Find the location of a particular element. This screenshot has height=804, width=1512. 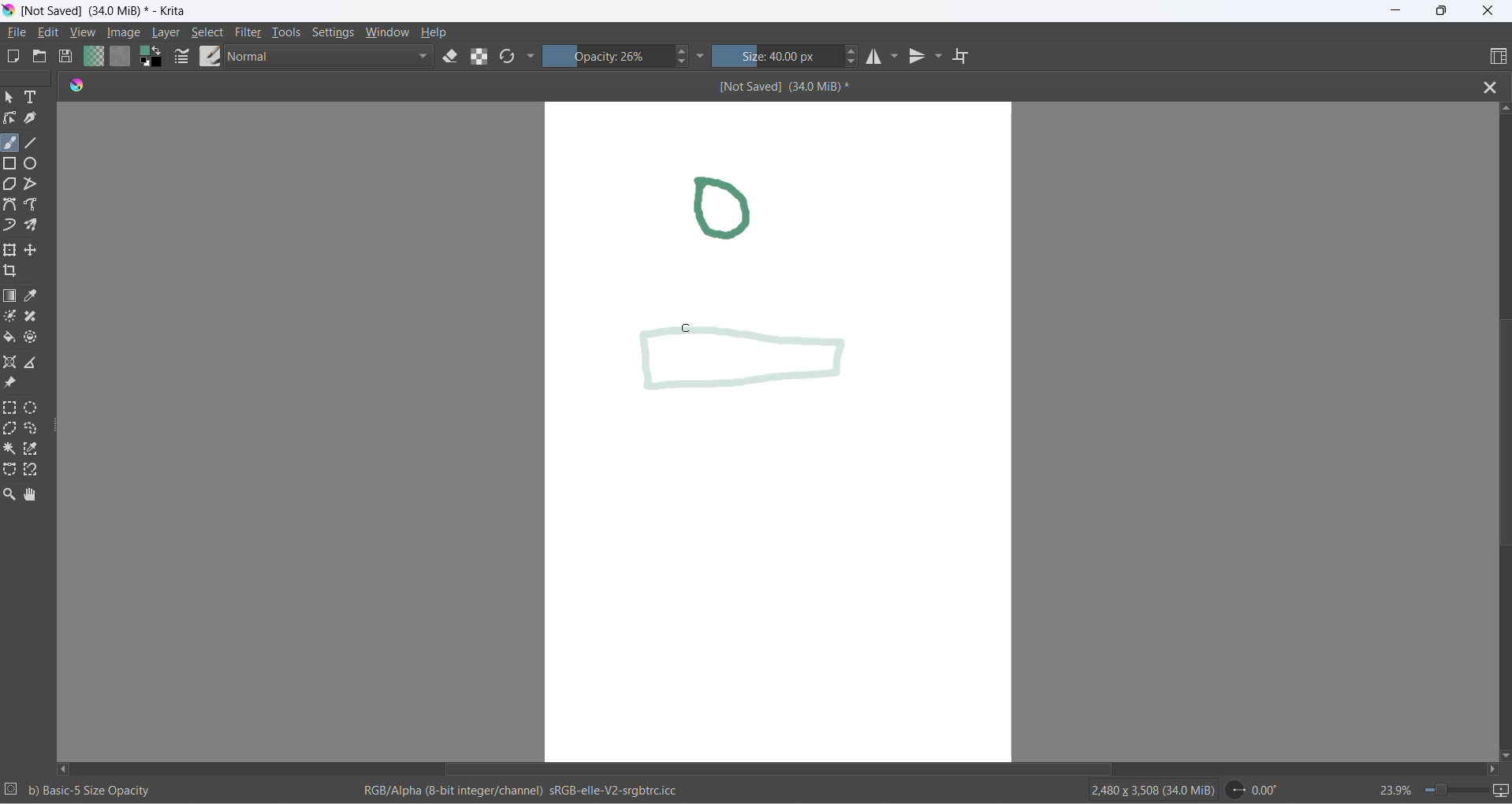

app icon is located at coordinates (9, 12).